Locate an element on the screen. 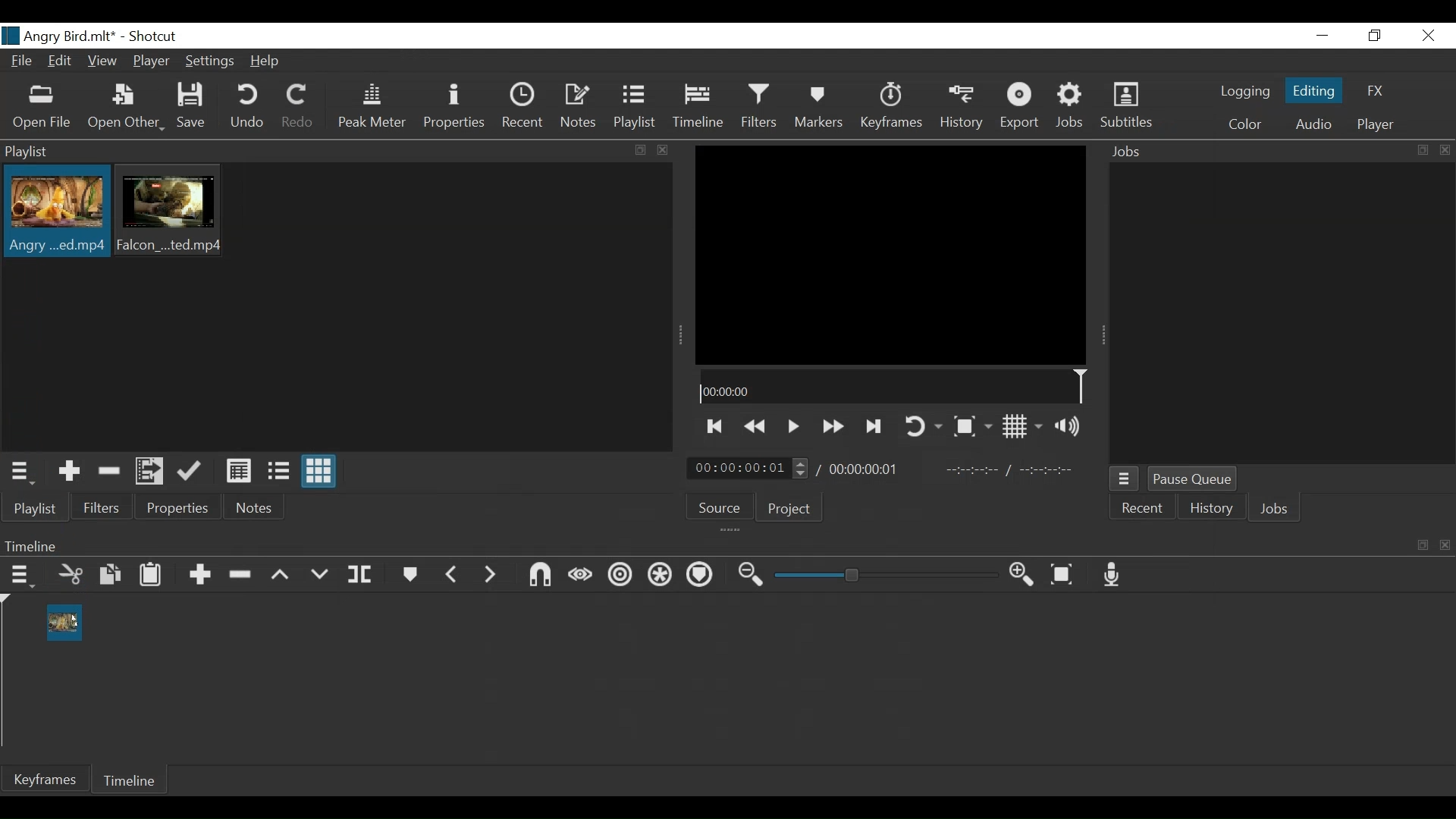 The width and height of the screenshot is (1456, 819). cursor is located at coordinates (77, 617).